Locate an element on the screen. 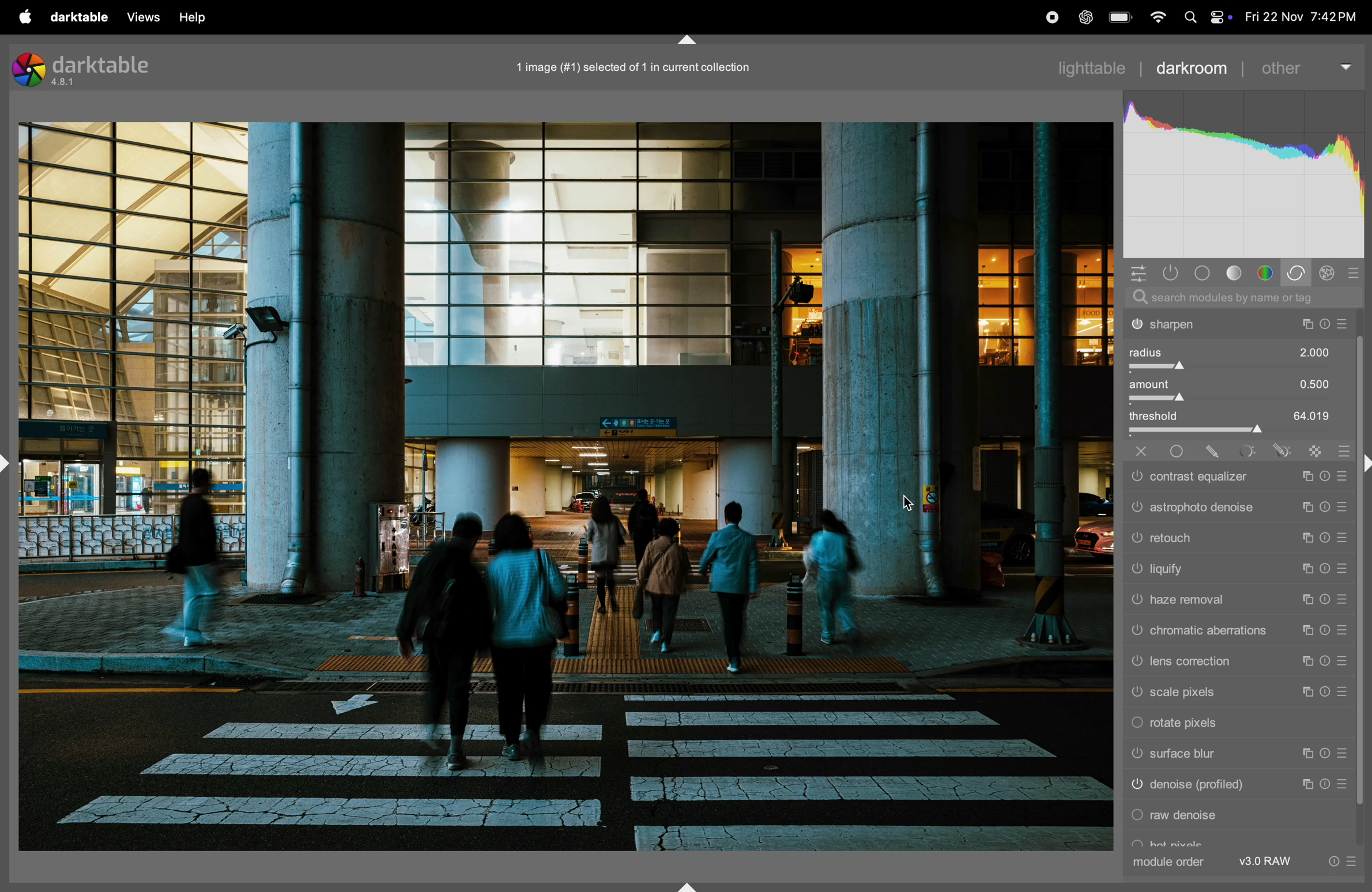 The image size is (1372, 892). views is located at coordinates (144, 17).